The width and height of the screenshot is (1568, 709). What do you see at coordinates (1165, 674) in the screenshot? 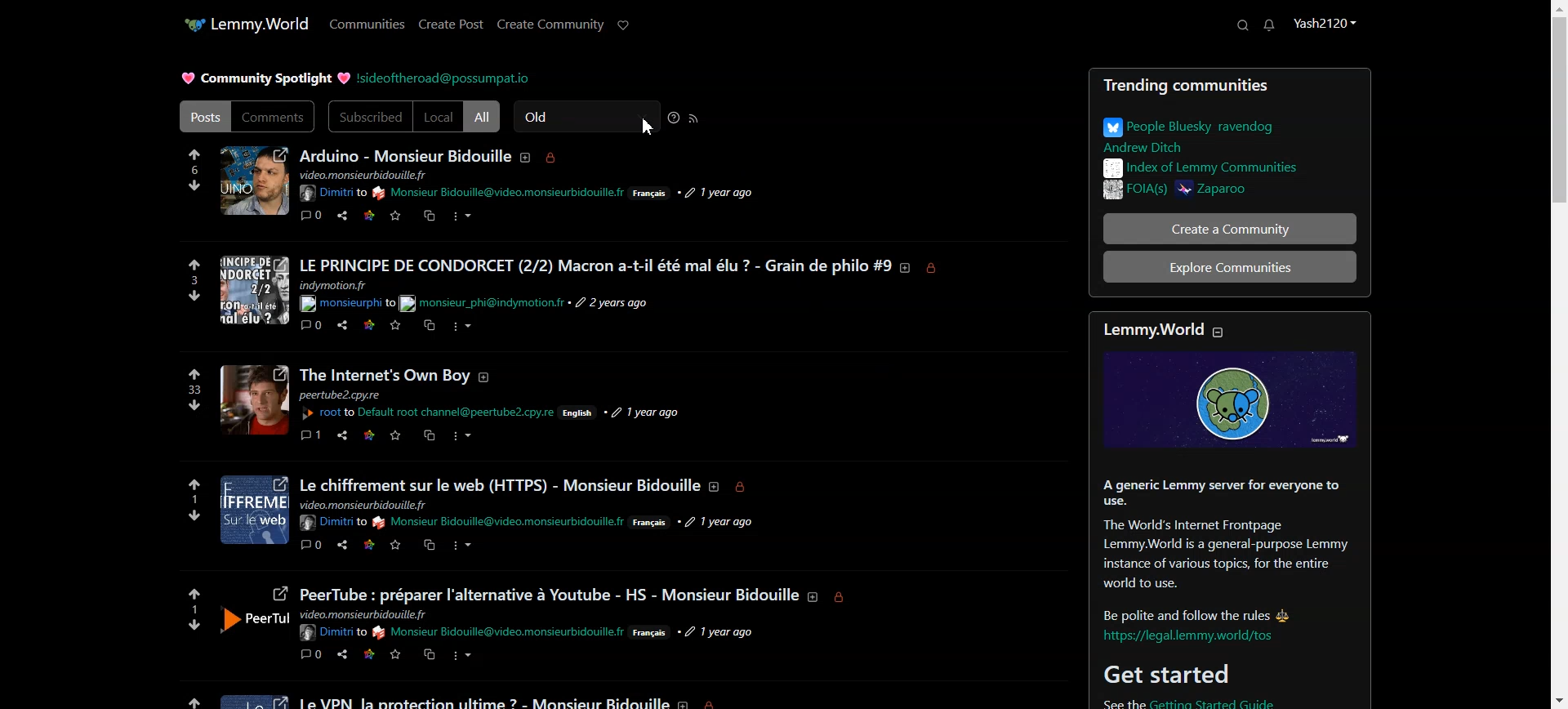
I see `Get started` at bounding box center [1165, 674].